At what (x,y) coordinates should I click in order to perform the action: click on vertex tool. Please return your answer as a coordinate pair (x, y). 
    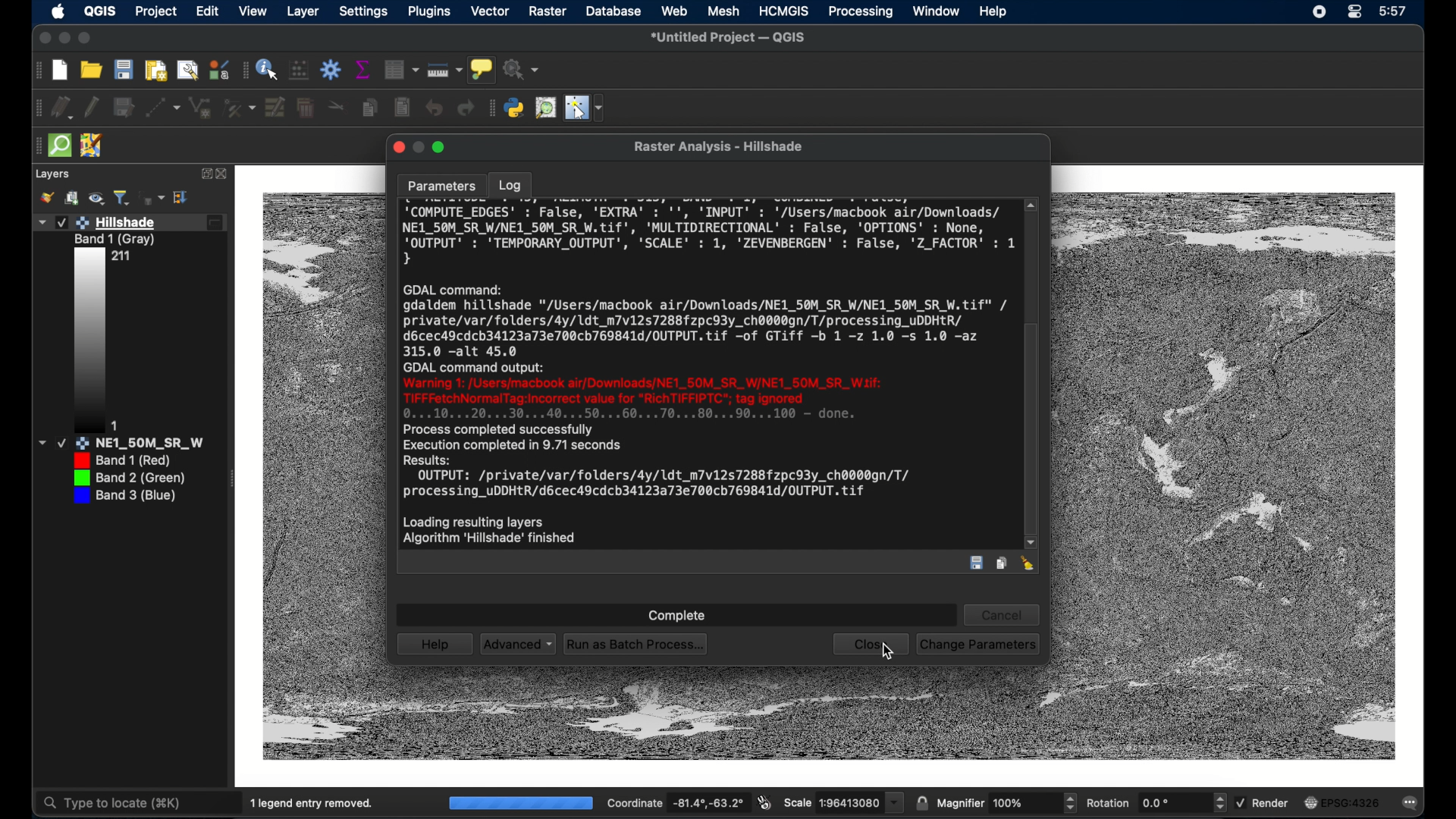
    Looking at the image, I should click on (239, 108).